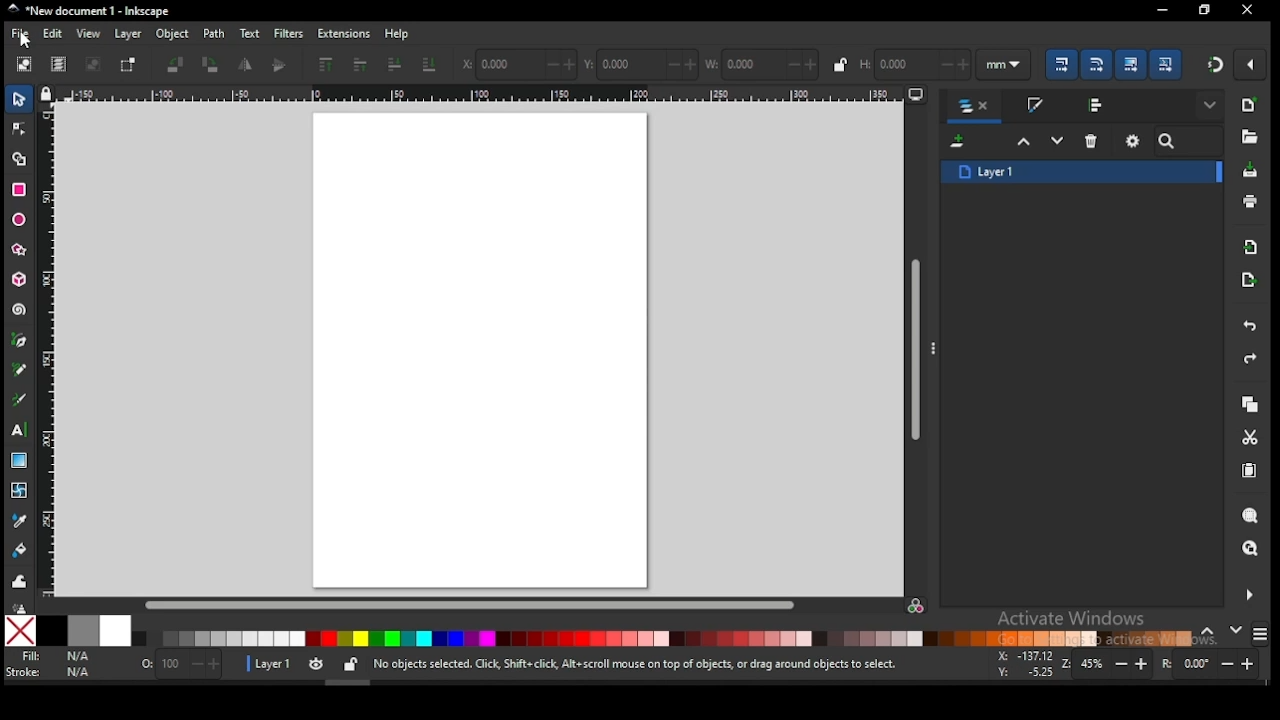 The height and width of the screenshot is (720, 1280). I want to click on zoom drawing, so click(1251, 550).